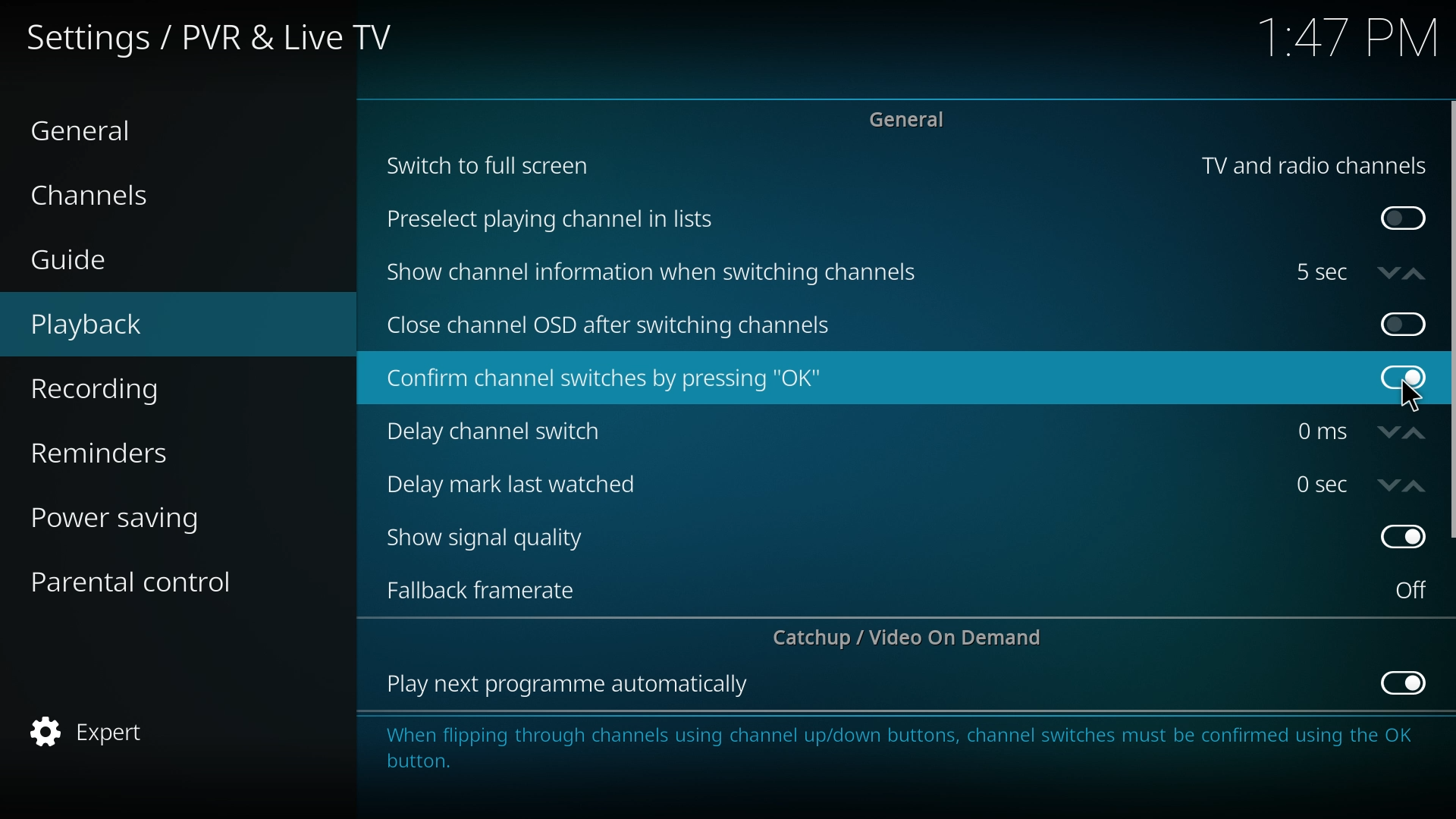 This screenshot has width=1456, height=819. I want to click on off, so click(1403, 378).